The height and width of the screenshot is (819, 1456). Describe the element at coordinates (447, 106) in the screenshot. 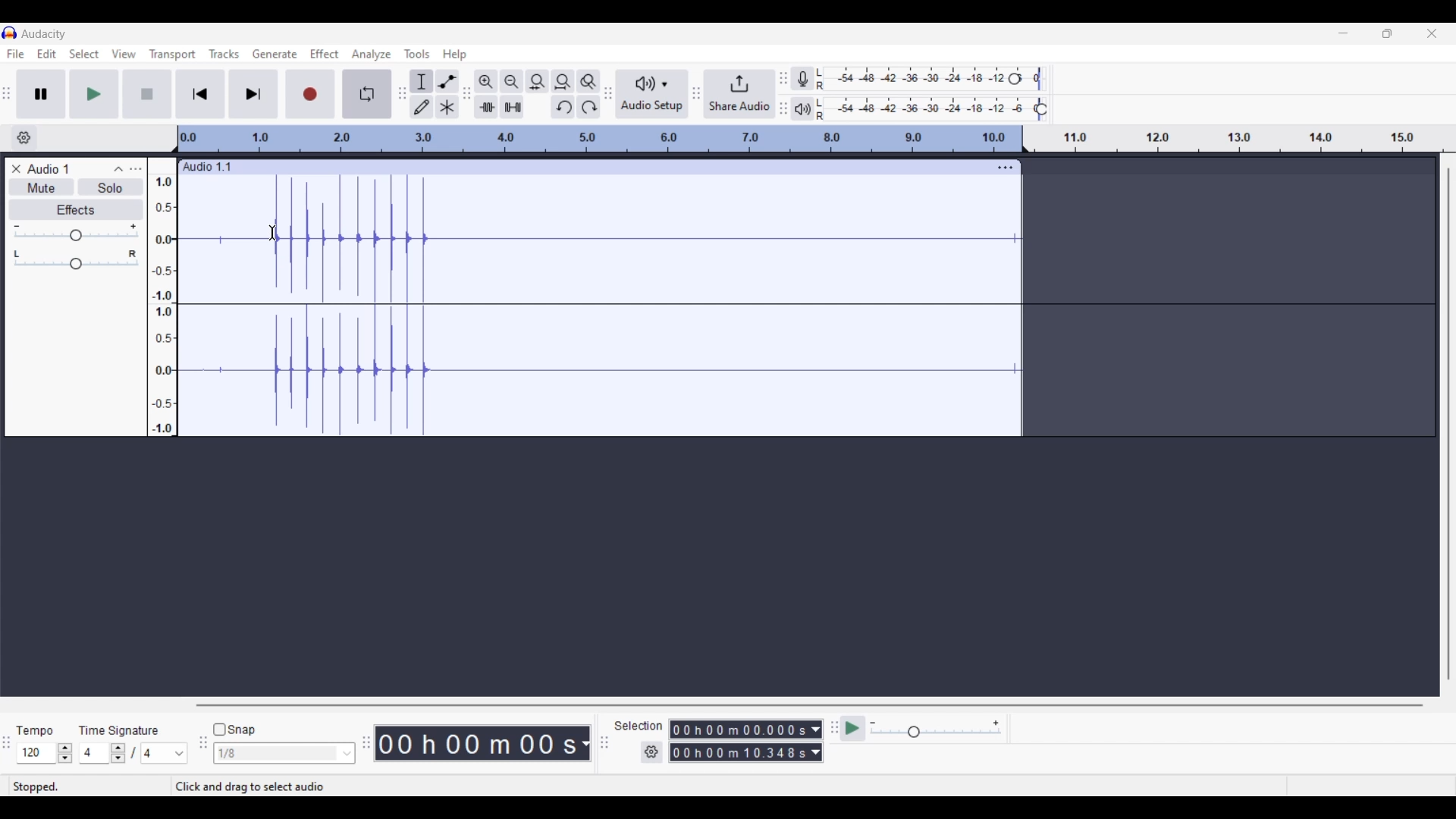

I see `Multi-tool` at that location.